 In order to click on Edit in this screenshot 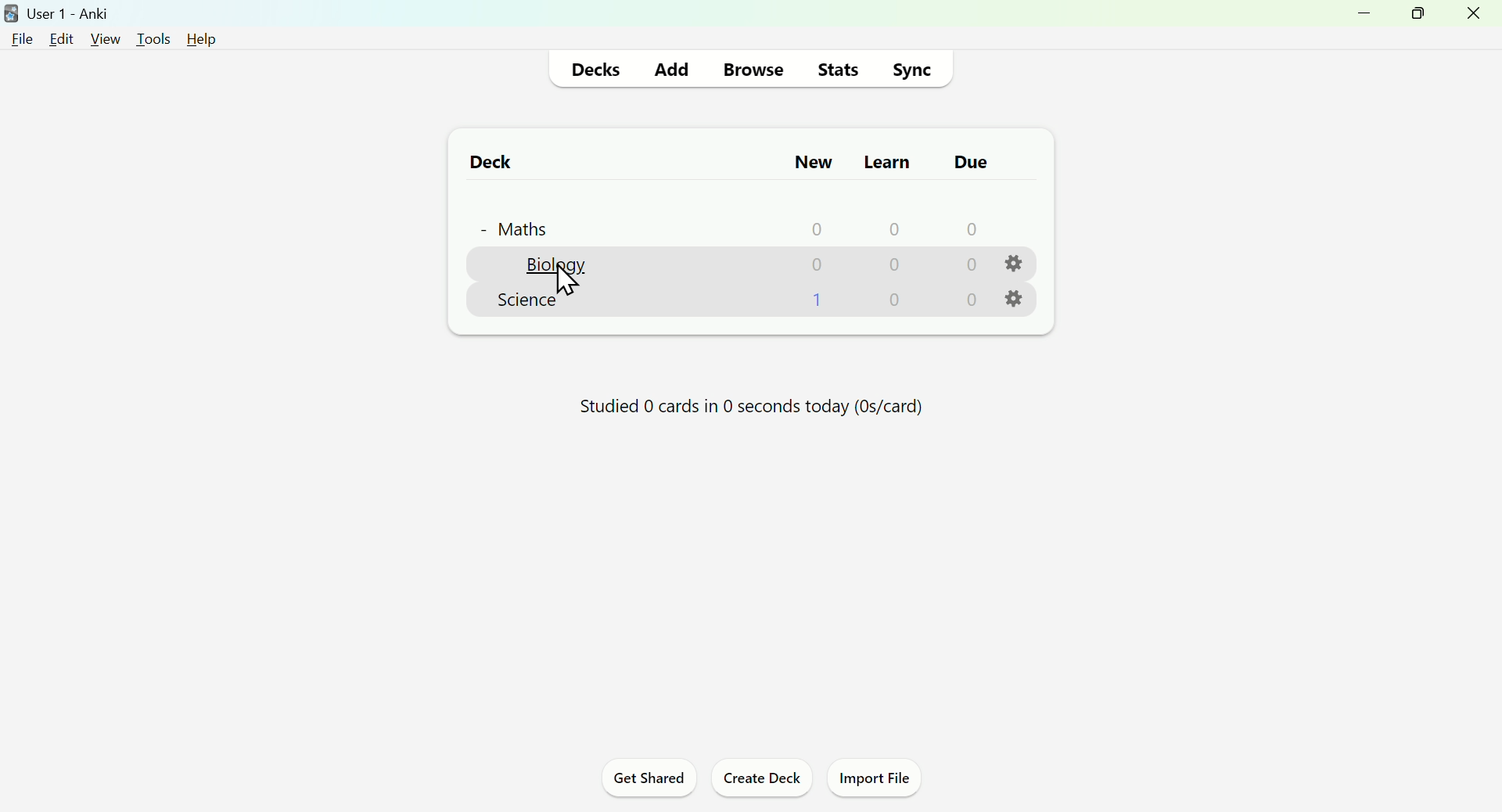, I will do `click(66, 37)`.